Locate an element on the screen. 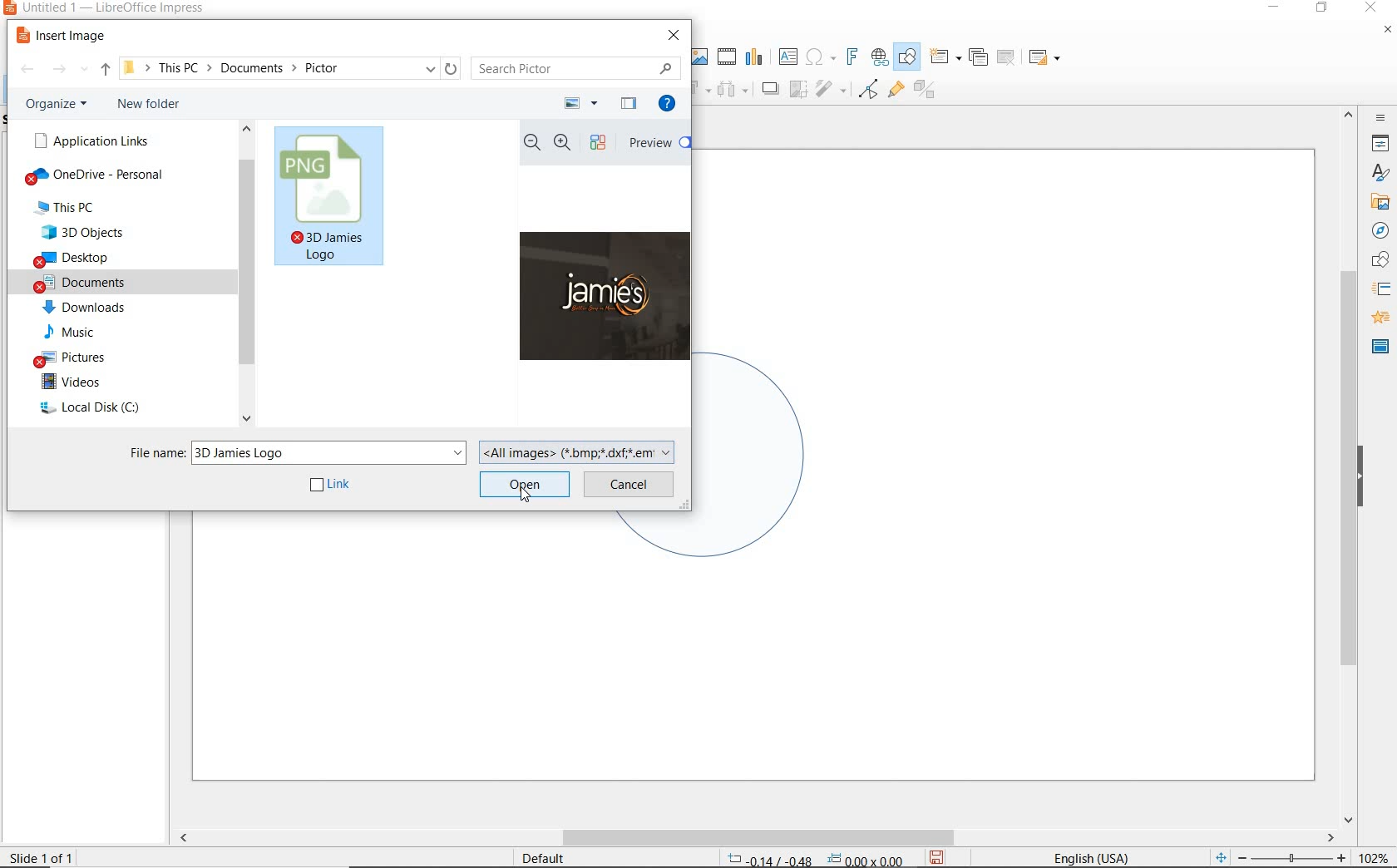 This screenshot has height=868, width=1397. scrollbar is located at coordinates (246, 277).